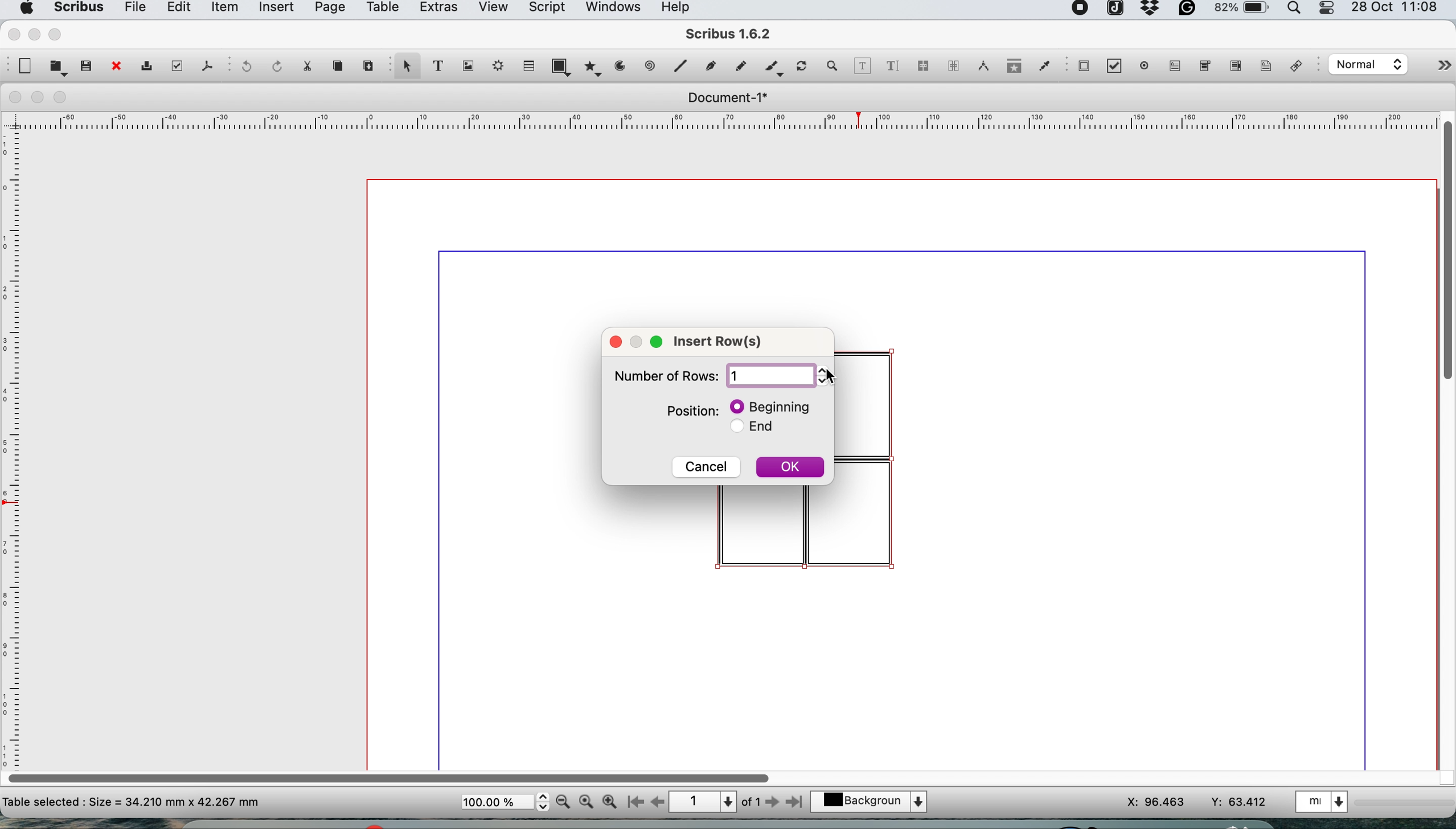 The width and height of the screenshot is (1456, 829). I want to click on print, so click(145, 68).